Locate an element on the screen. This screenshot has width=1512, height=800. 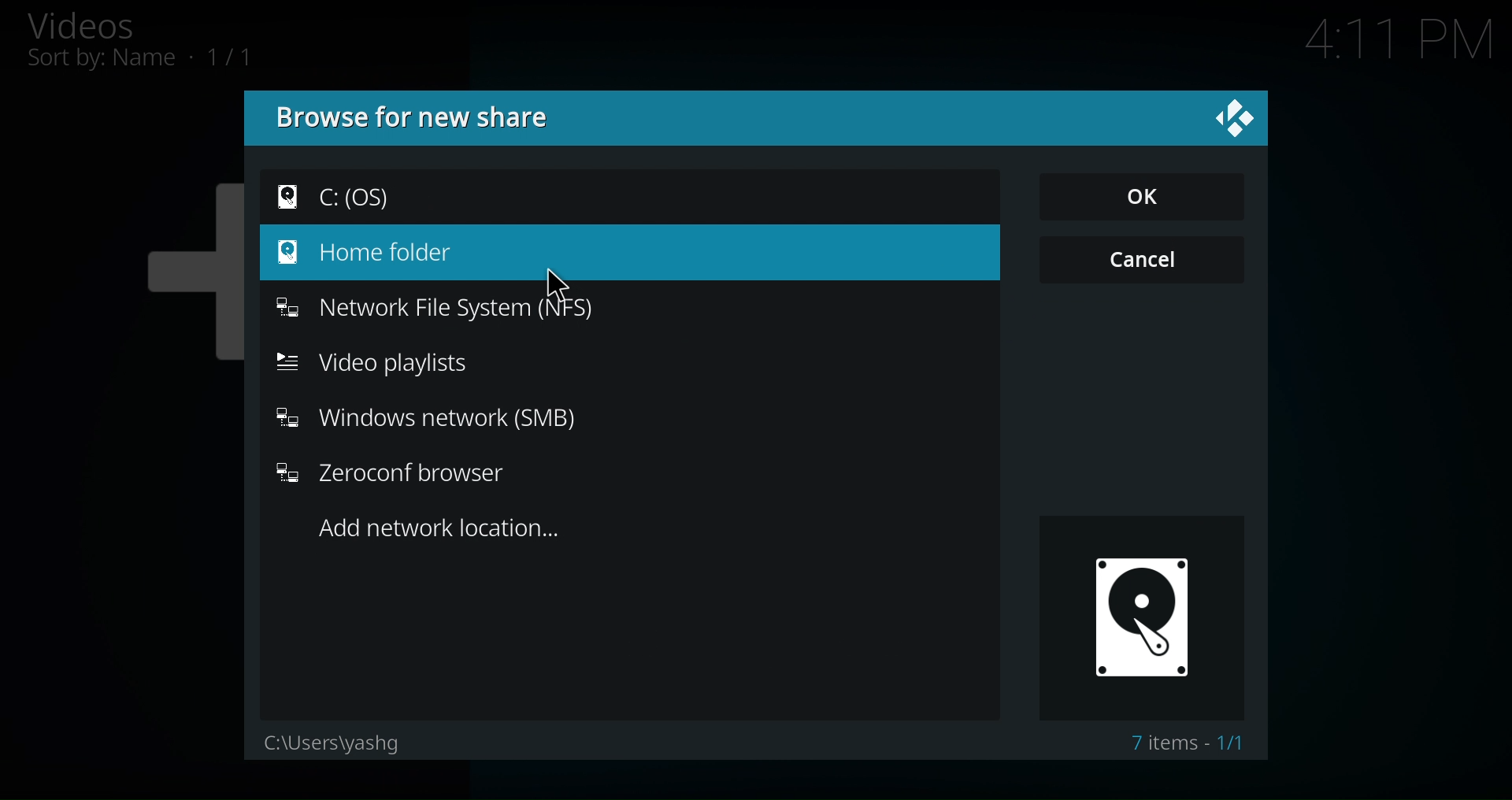
Zeroconf browser is located at coordinates (395, 476).